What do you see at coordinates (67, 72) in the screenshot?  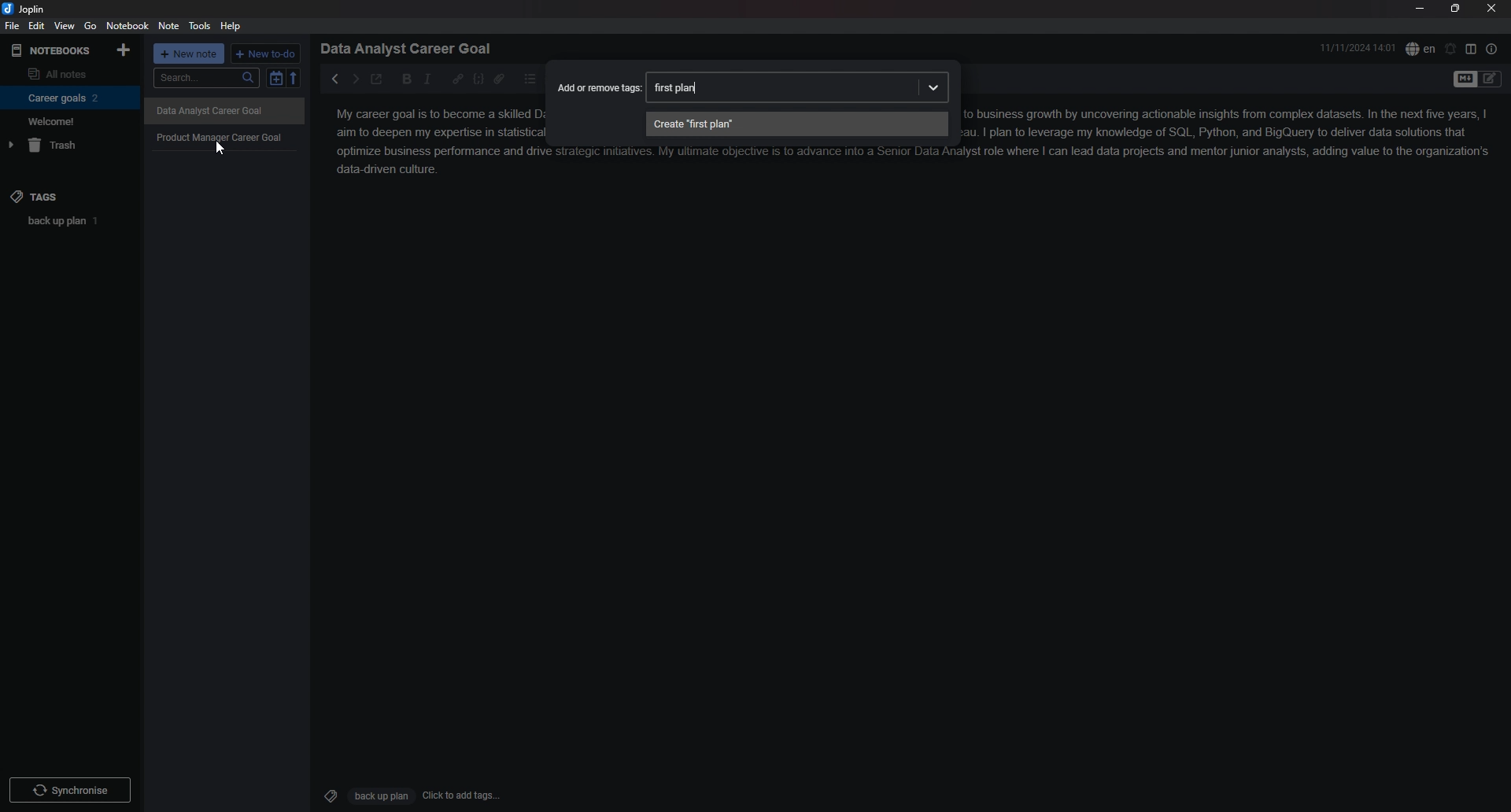 I see `all notes` at bounding box center [67, 72].